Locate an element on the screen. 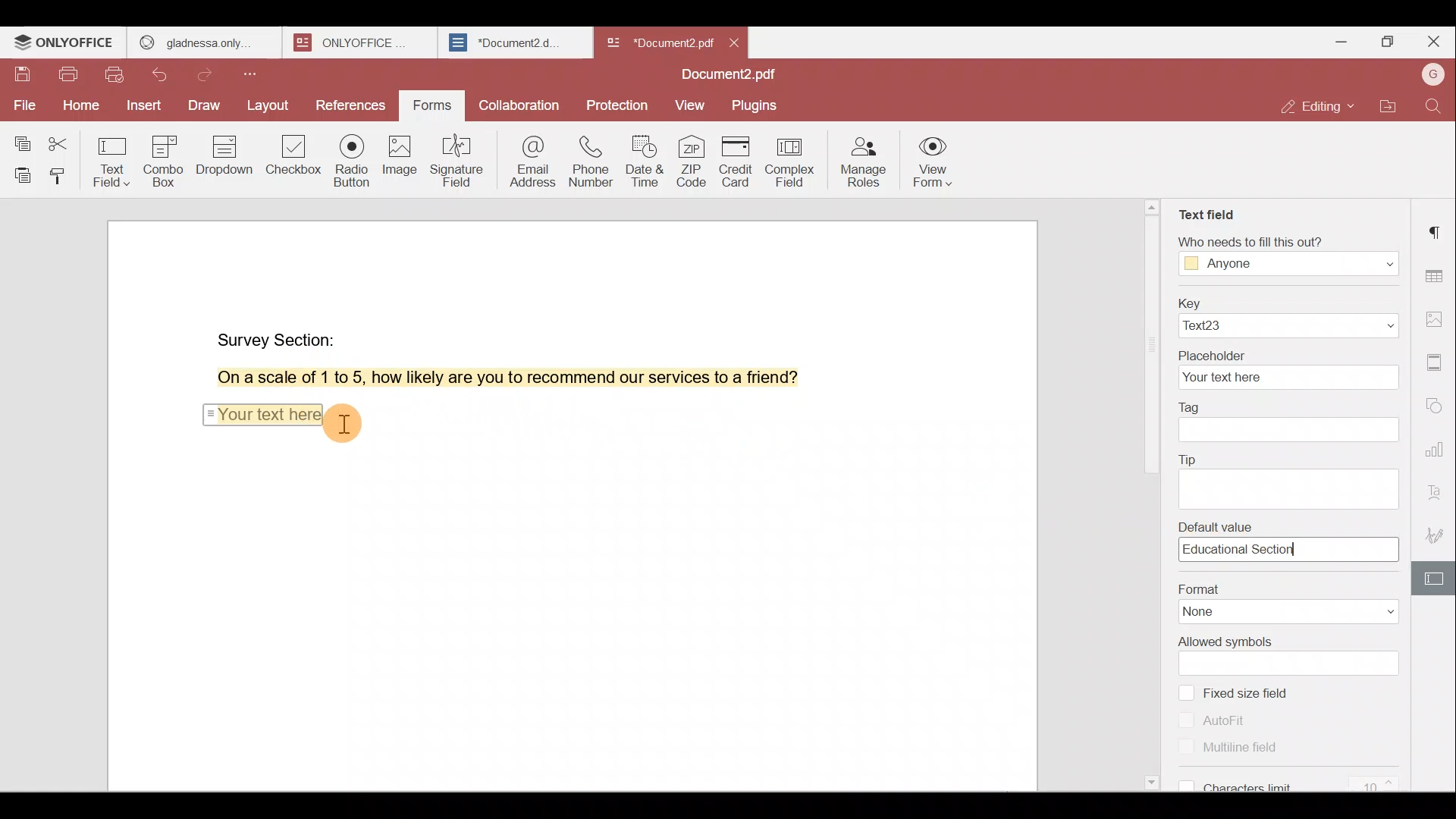  Document2.pdf is located at coordinates (657, 42).